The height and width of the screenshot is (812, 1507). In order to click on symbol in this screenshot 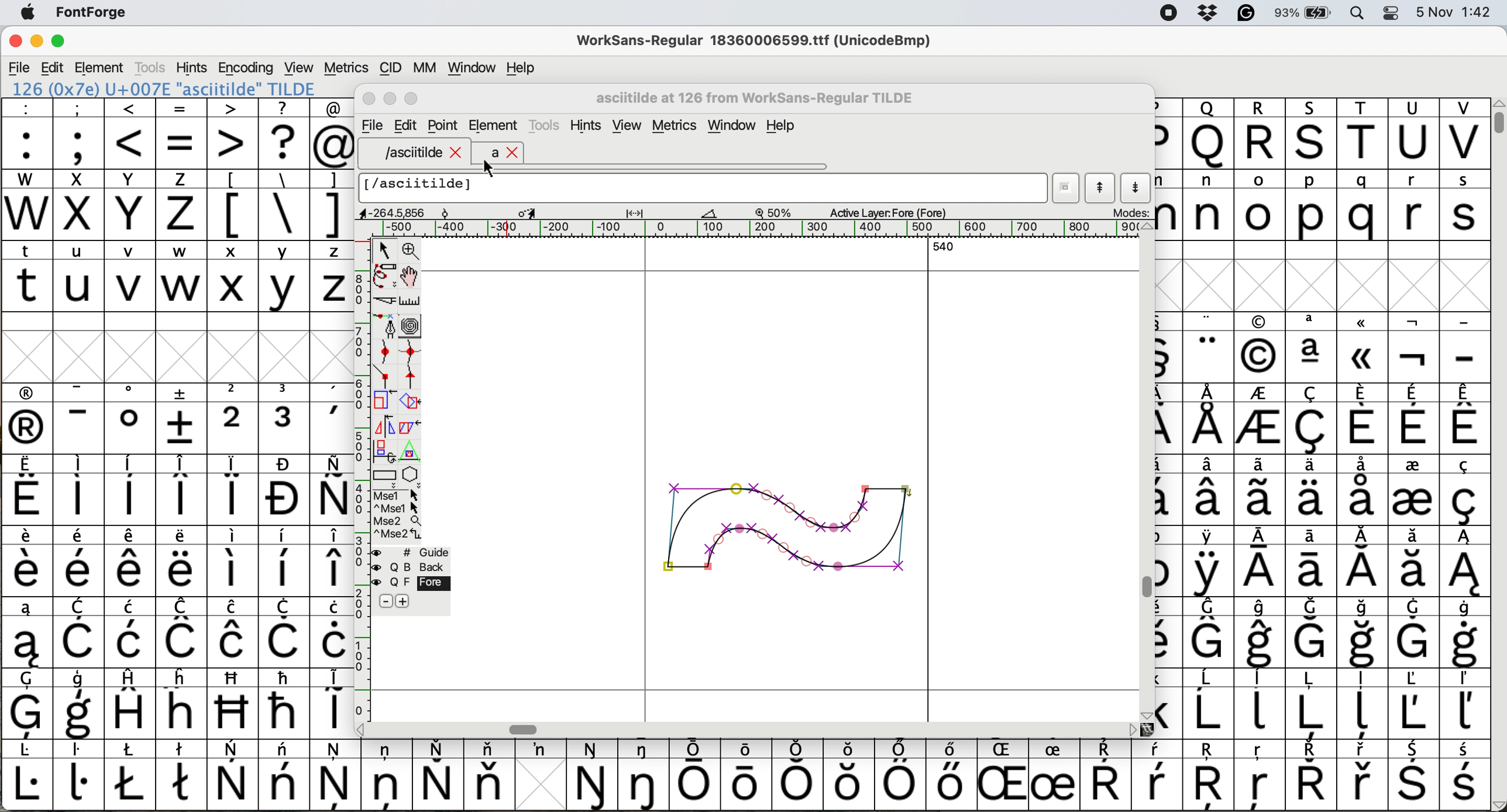, I will do `click(130, 418)`.